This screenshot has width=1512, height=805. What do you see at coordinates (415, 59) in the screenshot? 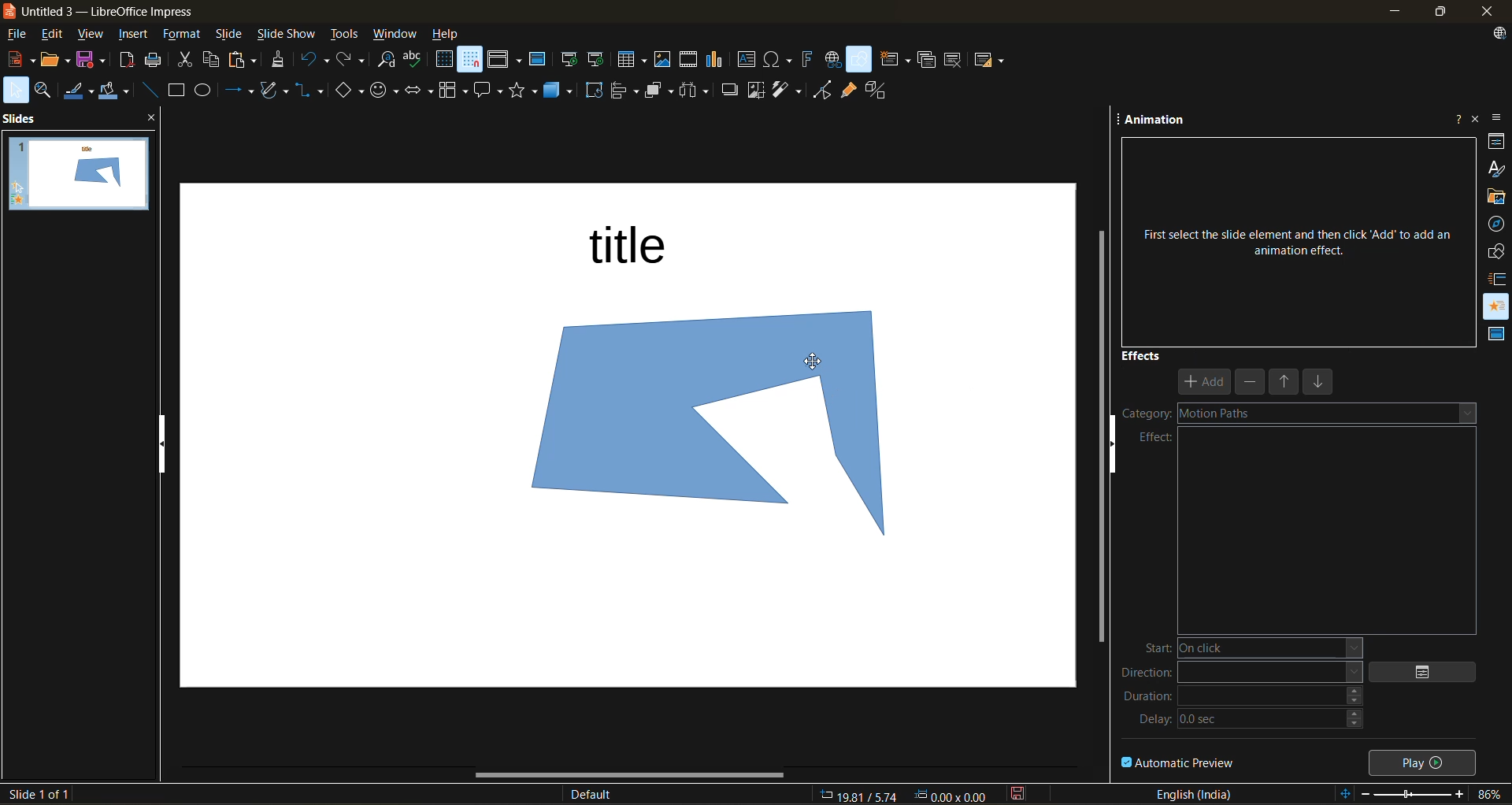
I see `spelling` at bounding box center [415, 59].